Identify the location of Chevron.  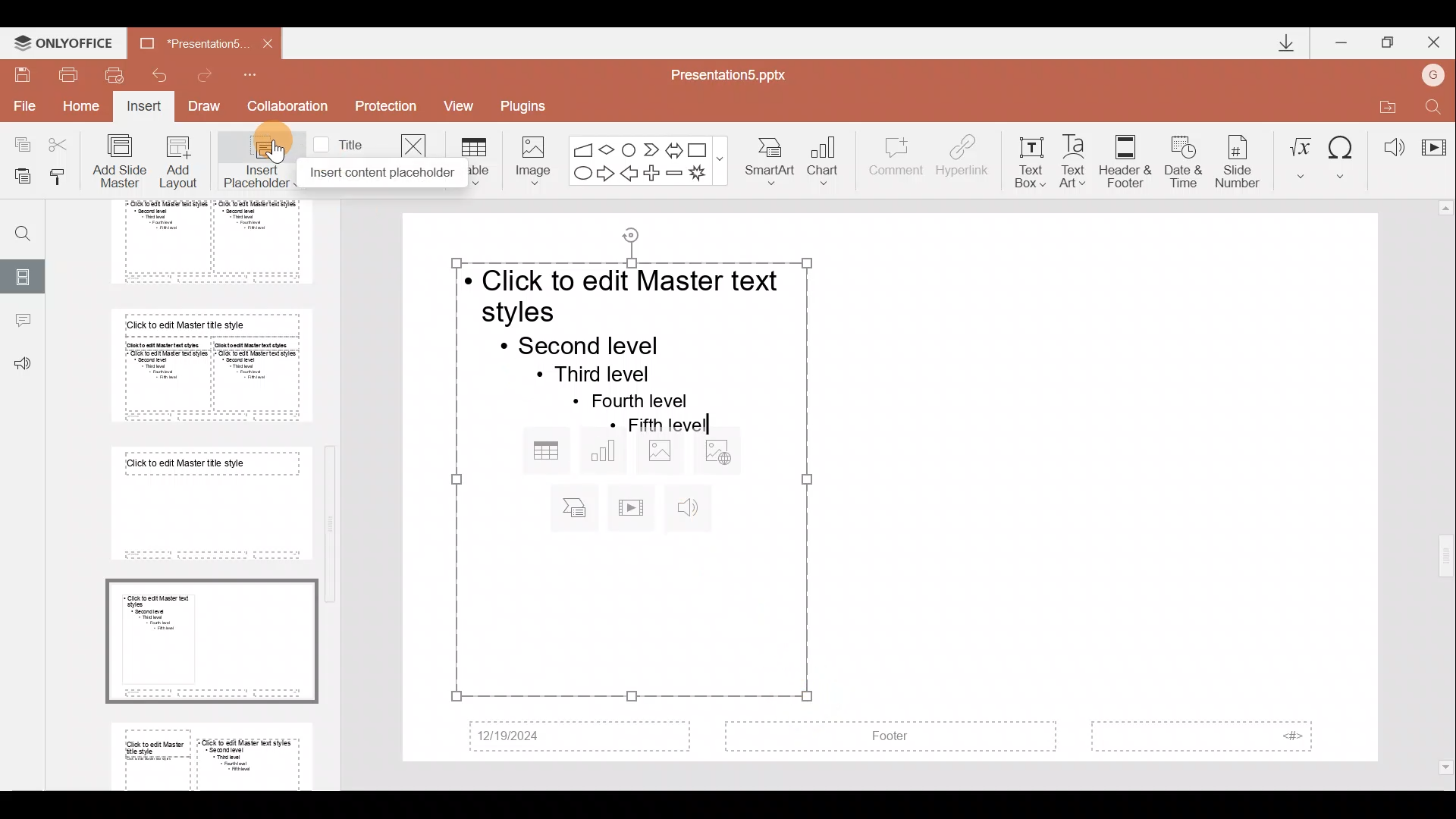
(649, 148).